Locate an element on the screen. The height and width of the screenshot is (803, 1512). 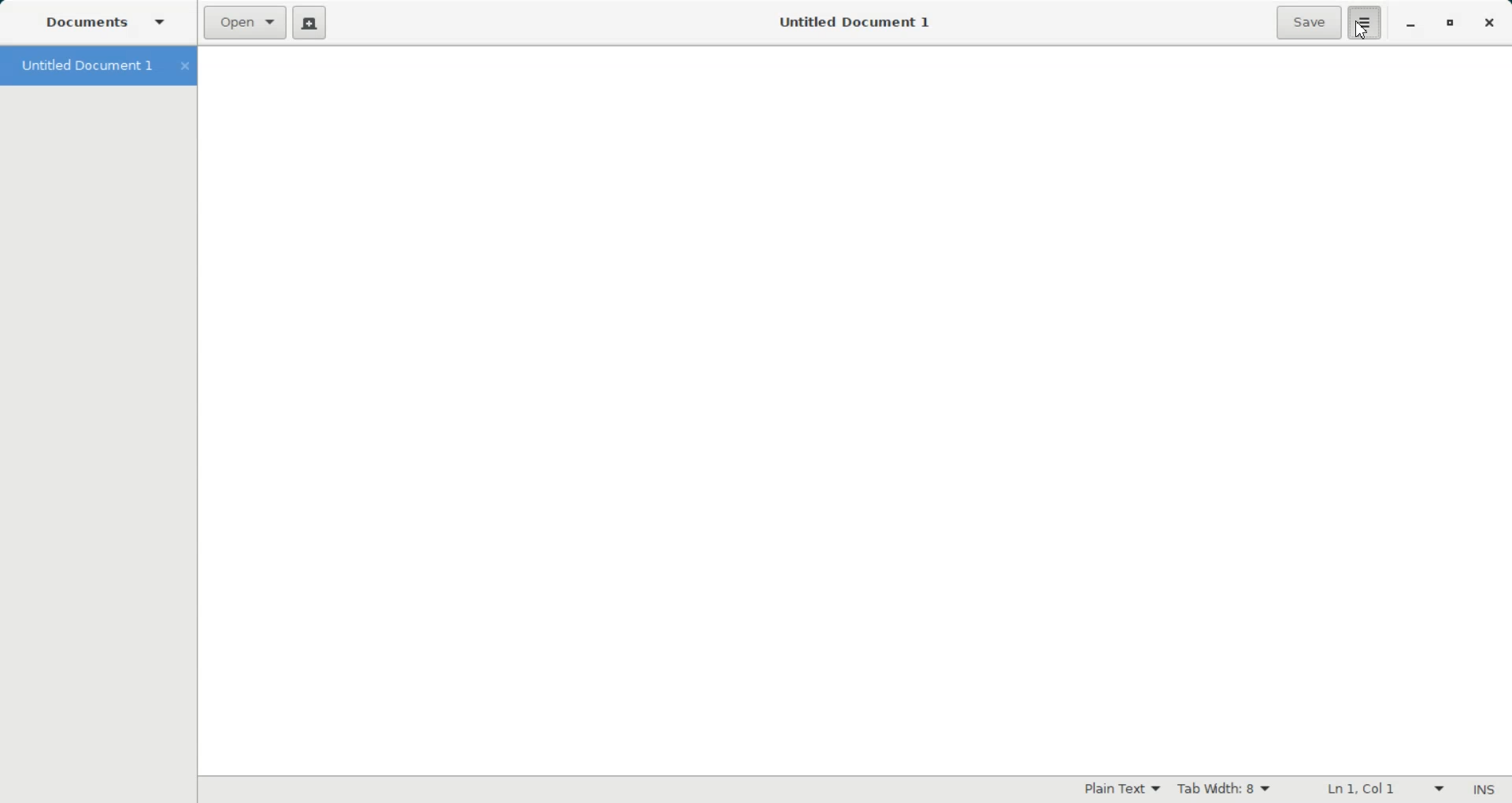
Open a file is located at coordinates (245, 23).